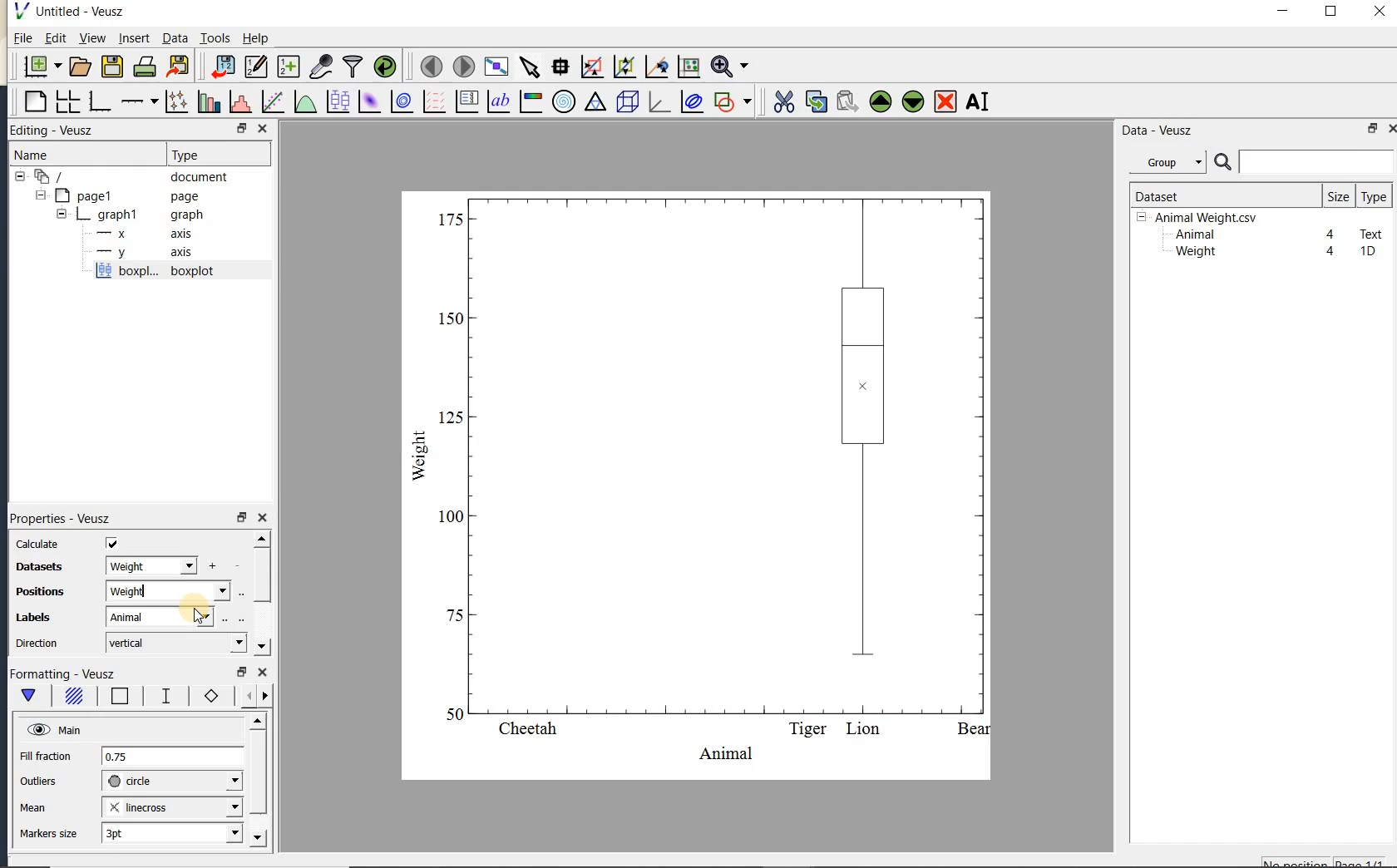  Describe the element at coordinates (255, 67) in the screenshot. I see `edit and enter new datasets` at that location.